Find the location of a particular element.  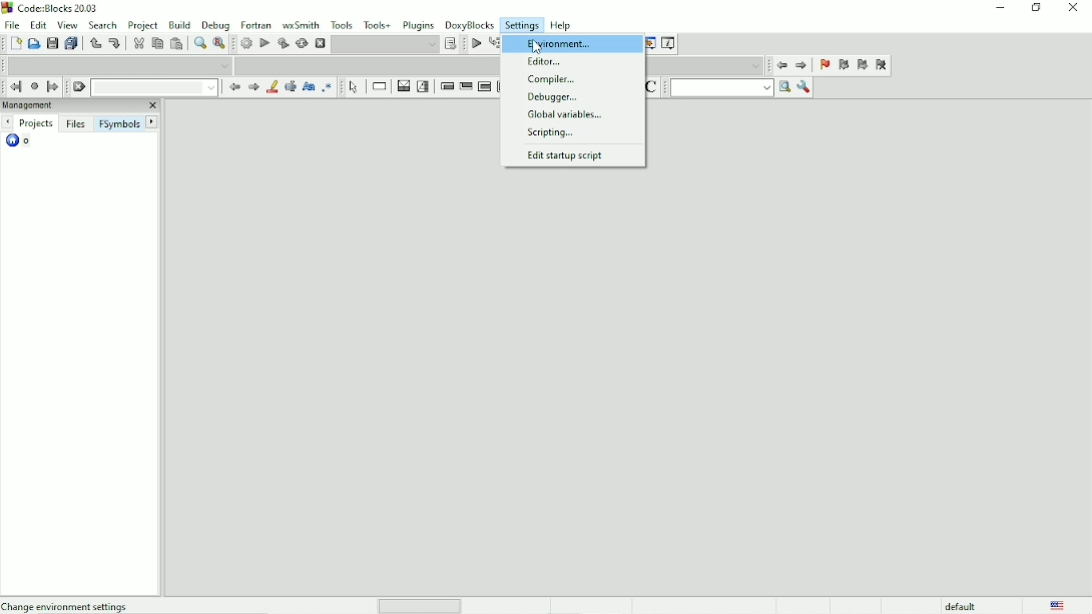

Jump back is located at coordinates (781, 64).